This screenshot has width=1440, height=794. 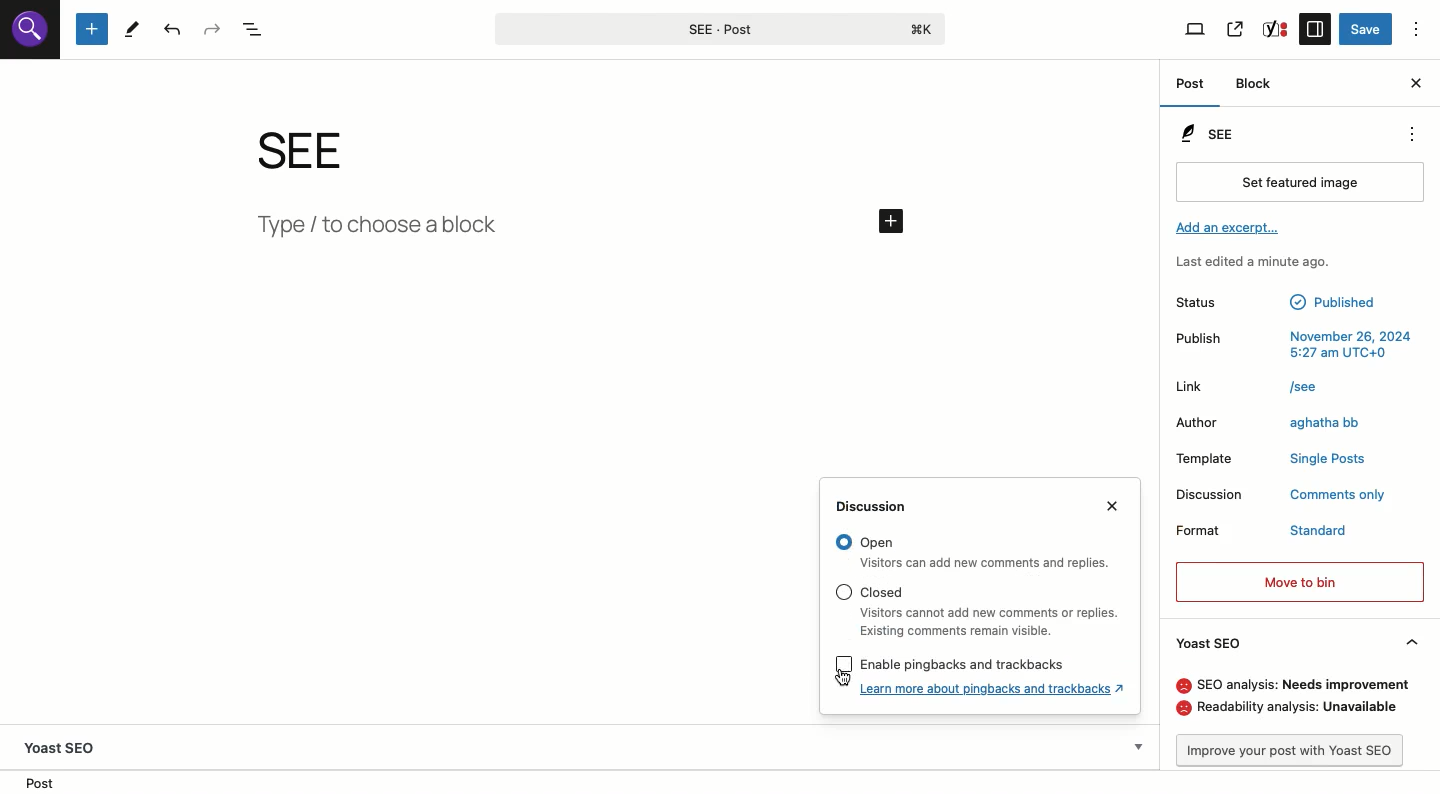 What do you see at coordinates (1295, 345) in the screenshot?
I see `Publish november 26, 2025 5:27am UTC+0` at bounding box center [1295, 345].